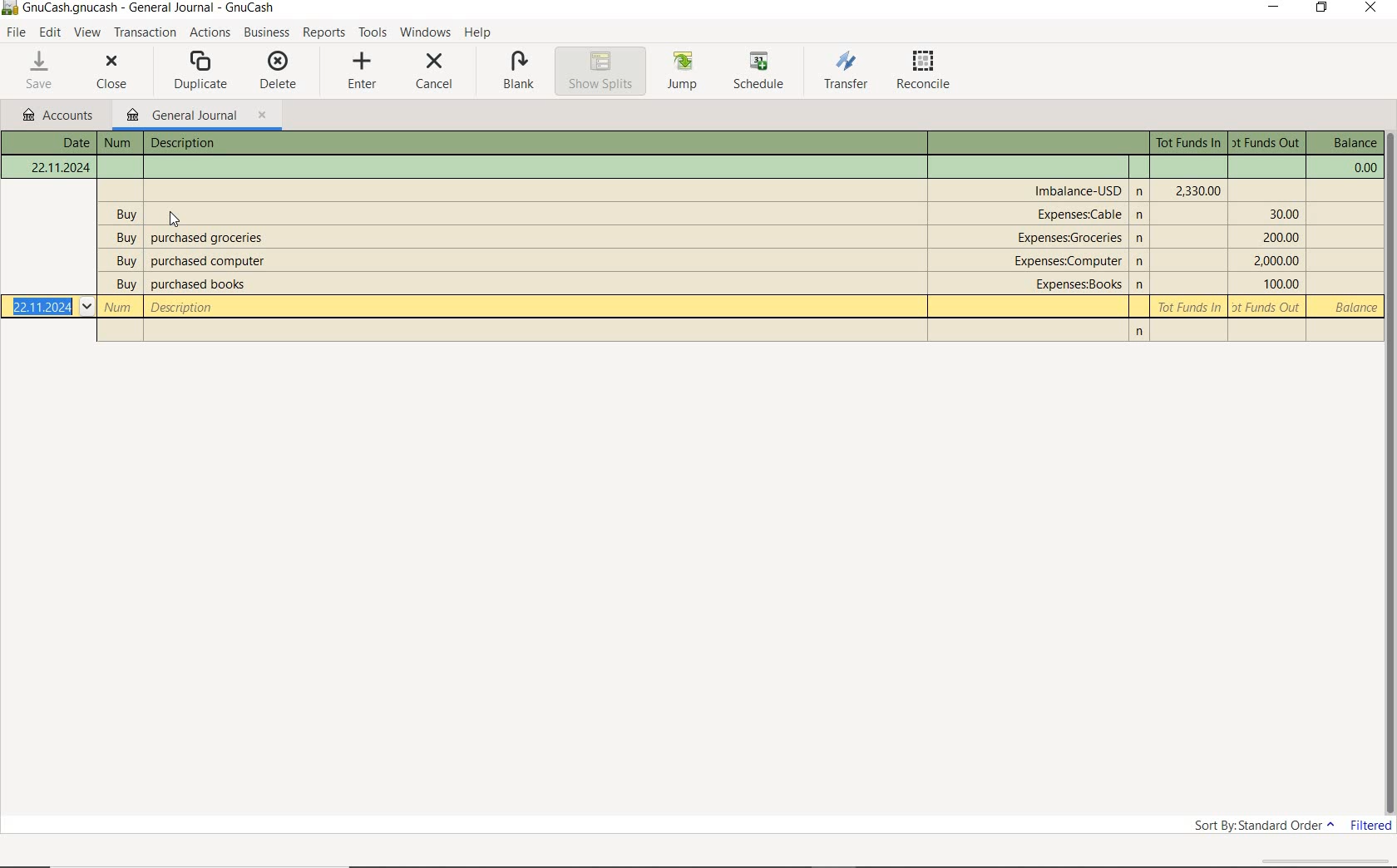 The width and height of the screenshot is (1397, 868). What do you see at coordinates (56, 116) in the screenshot?
I see `ACCOUNTS` at bounding box center [56, 116].